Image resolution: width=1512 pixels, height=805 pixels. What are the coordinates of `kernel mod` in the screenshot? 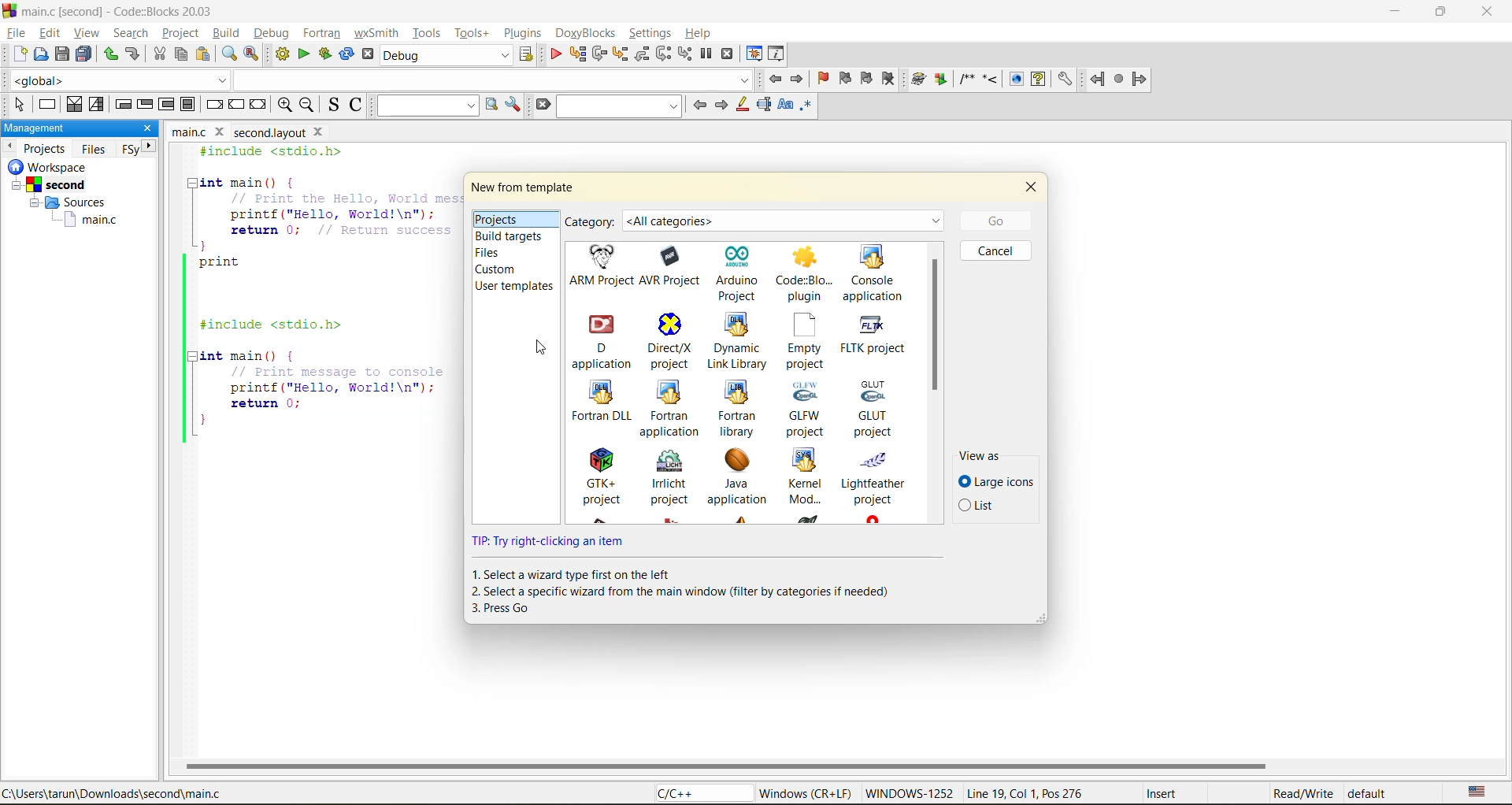 It's located at (811, 477).